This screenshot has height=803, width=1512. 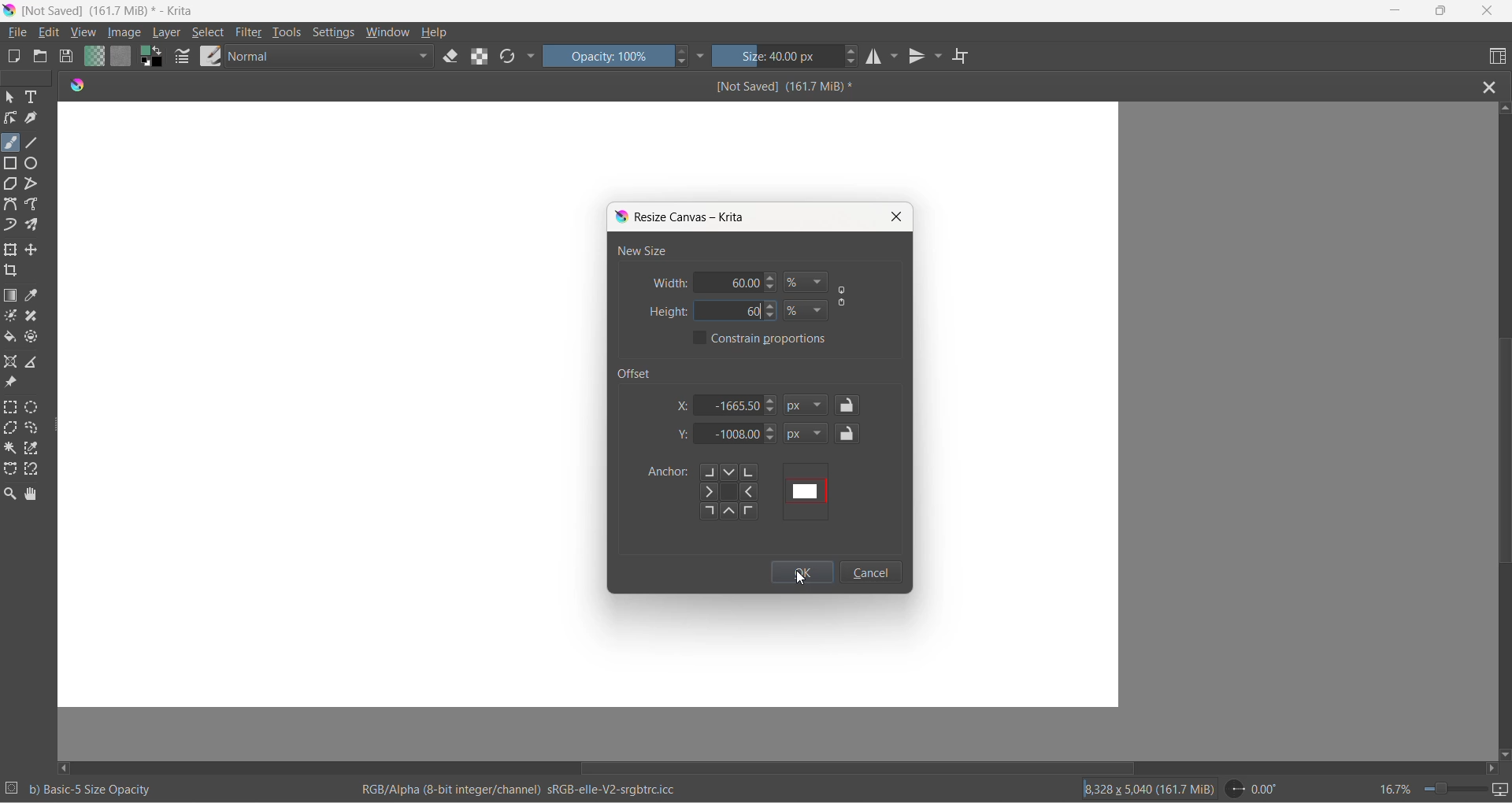 What do you see at coordinates (155, 60) in the screenshot?
I see `swap foreground and background colors` at bounding box center [155, 60].